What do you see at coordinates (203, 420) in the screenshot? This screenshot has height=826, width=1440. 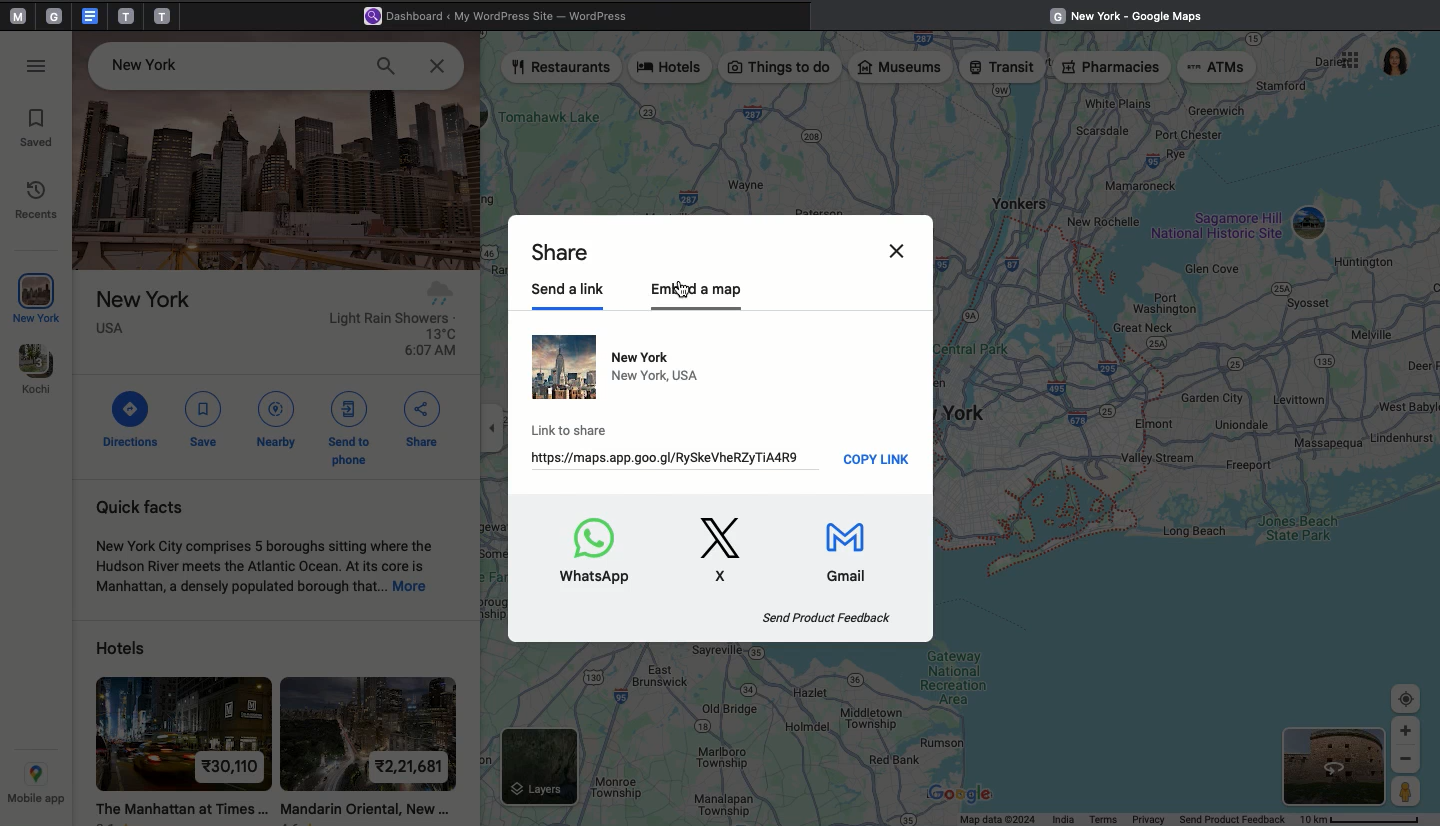 I see `Save` at bounding box center [203, 420].